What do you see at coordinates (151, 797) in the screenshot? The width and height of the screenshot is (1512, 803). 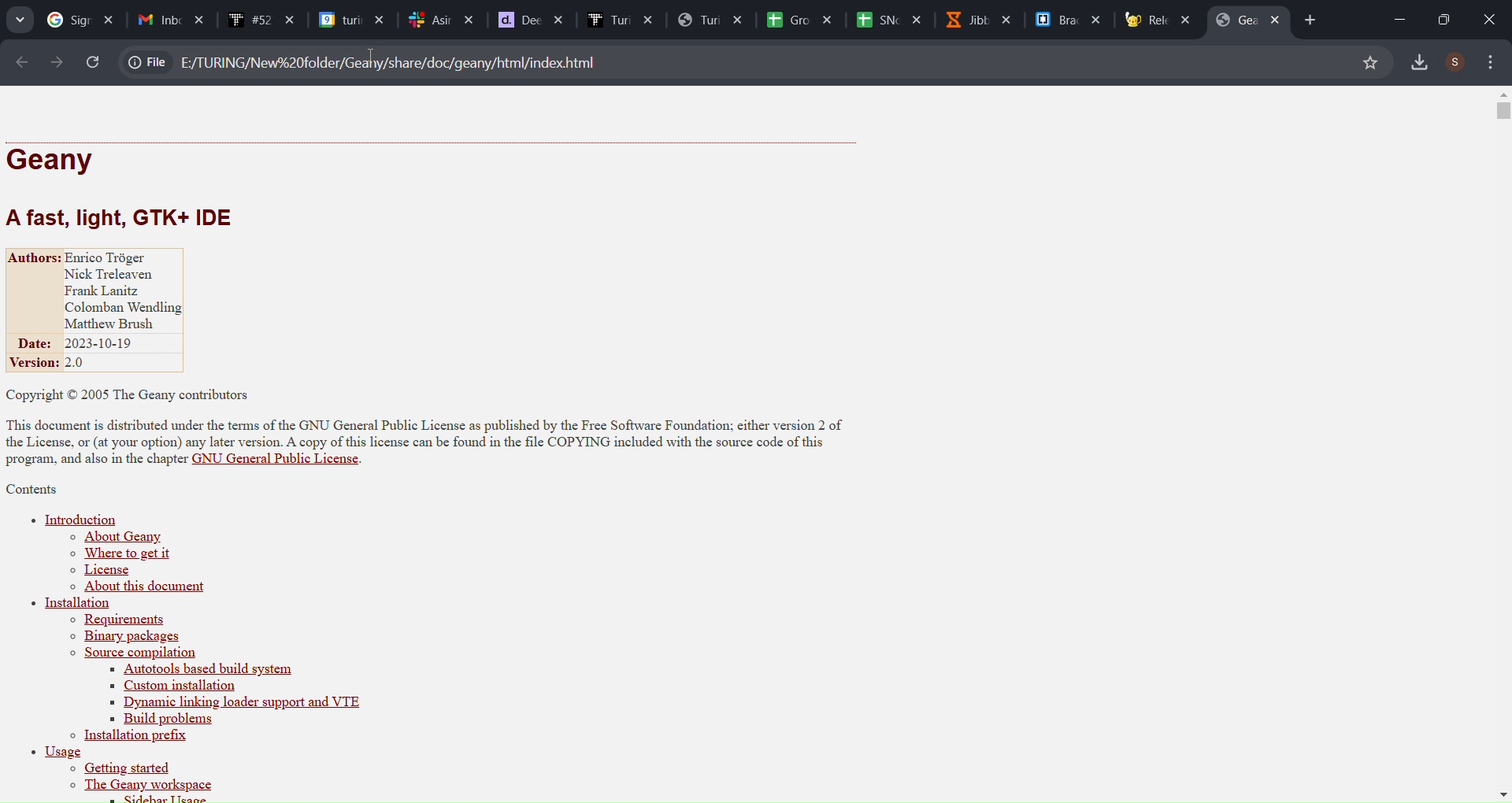 I see `sidebar house` at bounding box center [151, 797].